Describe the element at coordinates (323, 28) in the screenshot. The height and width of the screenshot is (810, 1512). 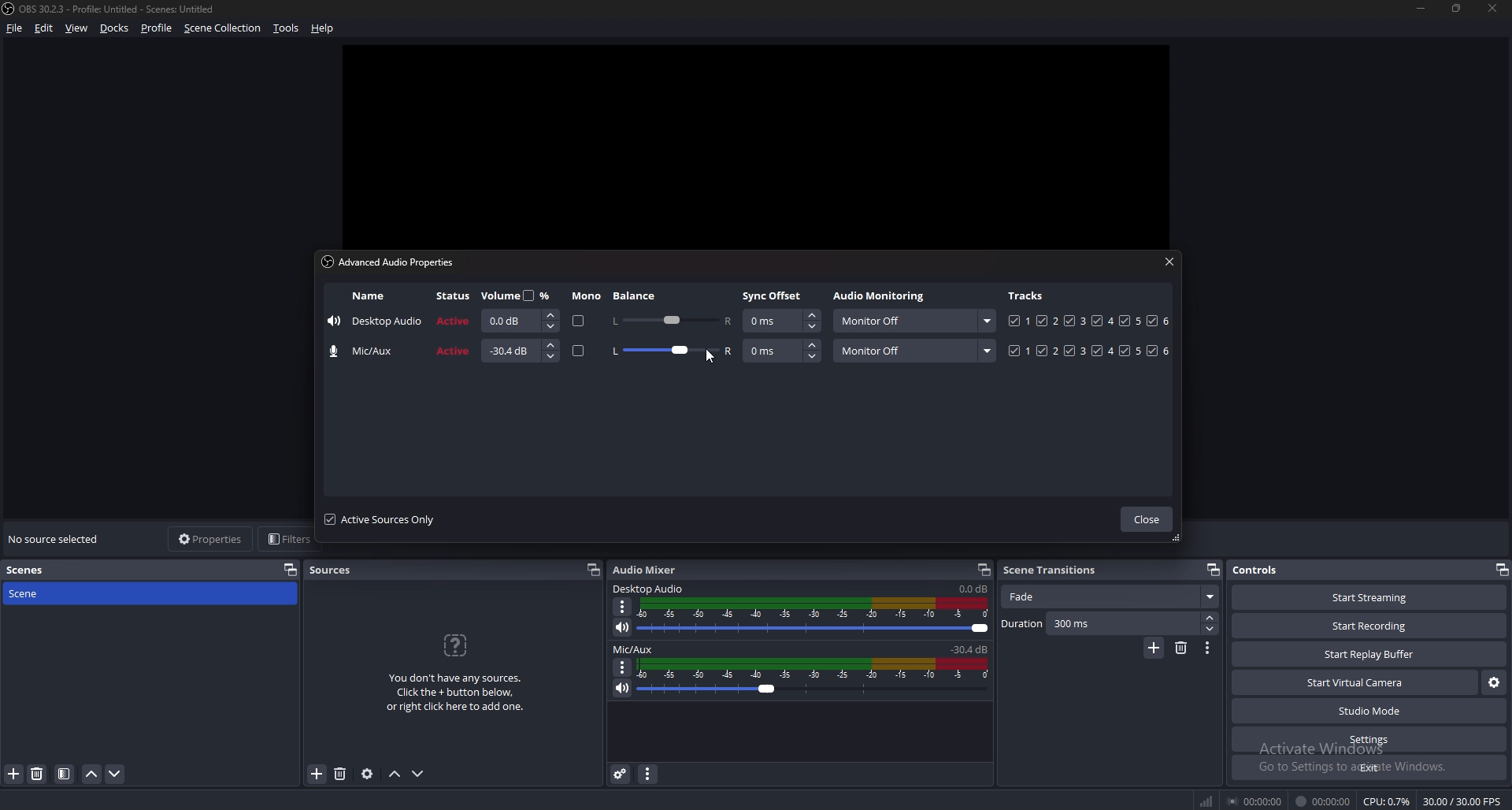
I see `help` at that location.